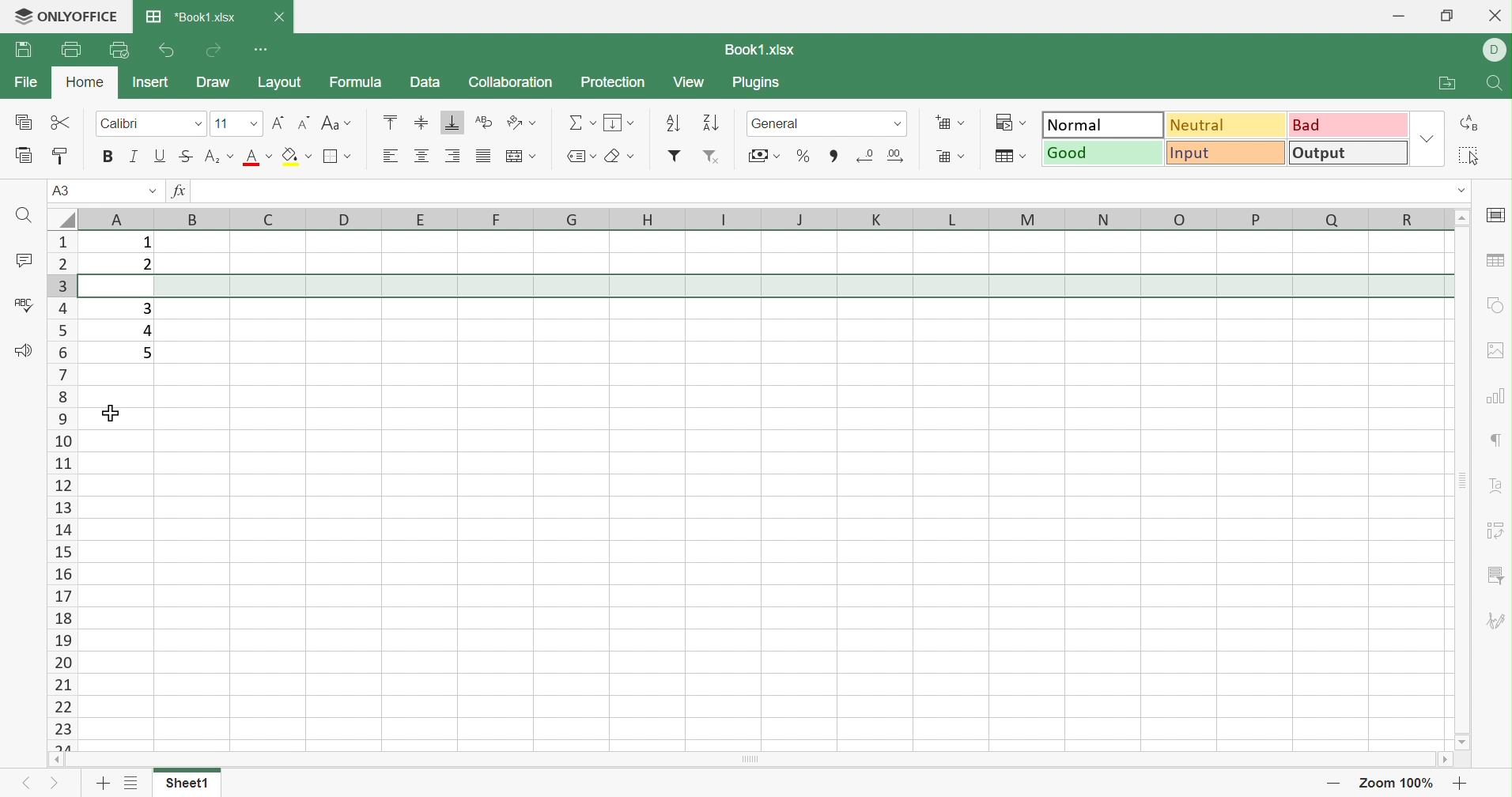  What do you see at coordinates (301, 121) in the screenshot?
I see `Decrement in Font size` at bounding box center [301, 121].